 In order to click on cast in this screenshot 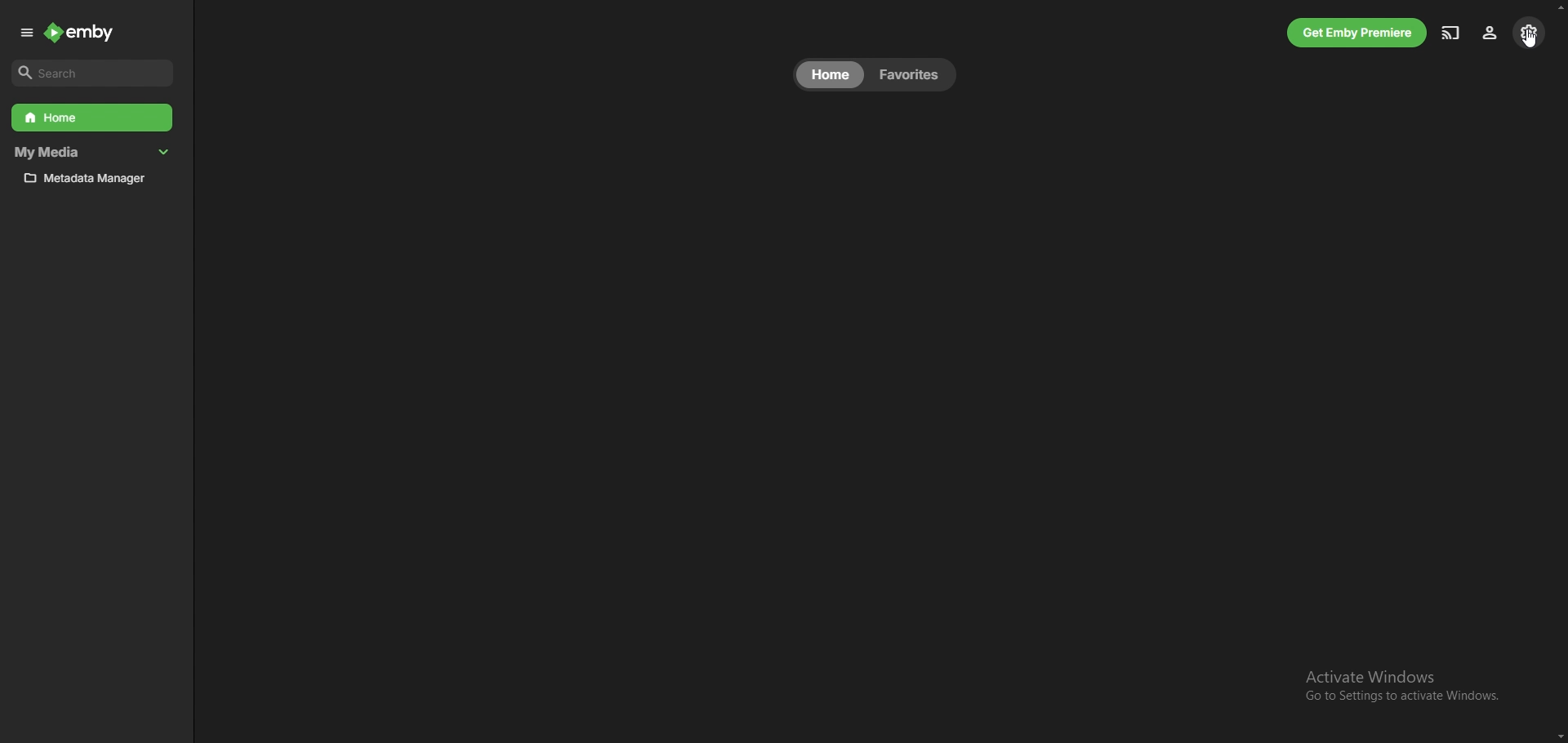, I will do `click(1450, 31)`.